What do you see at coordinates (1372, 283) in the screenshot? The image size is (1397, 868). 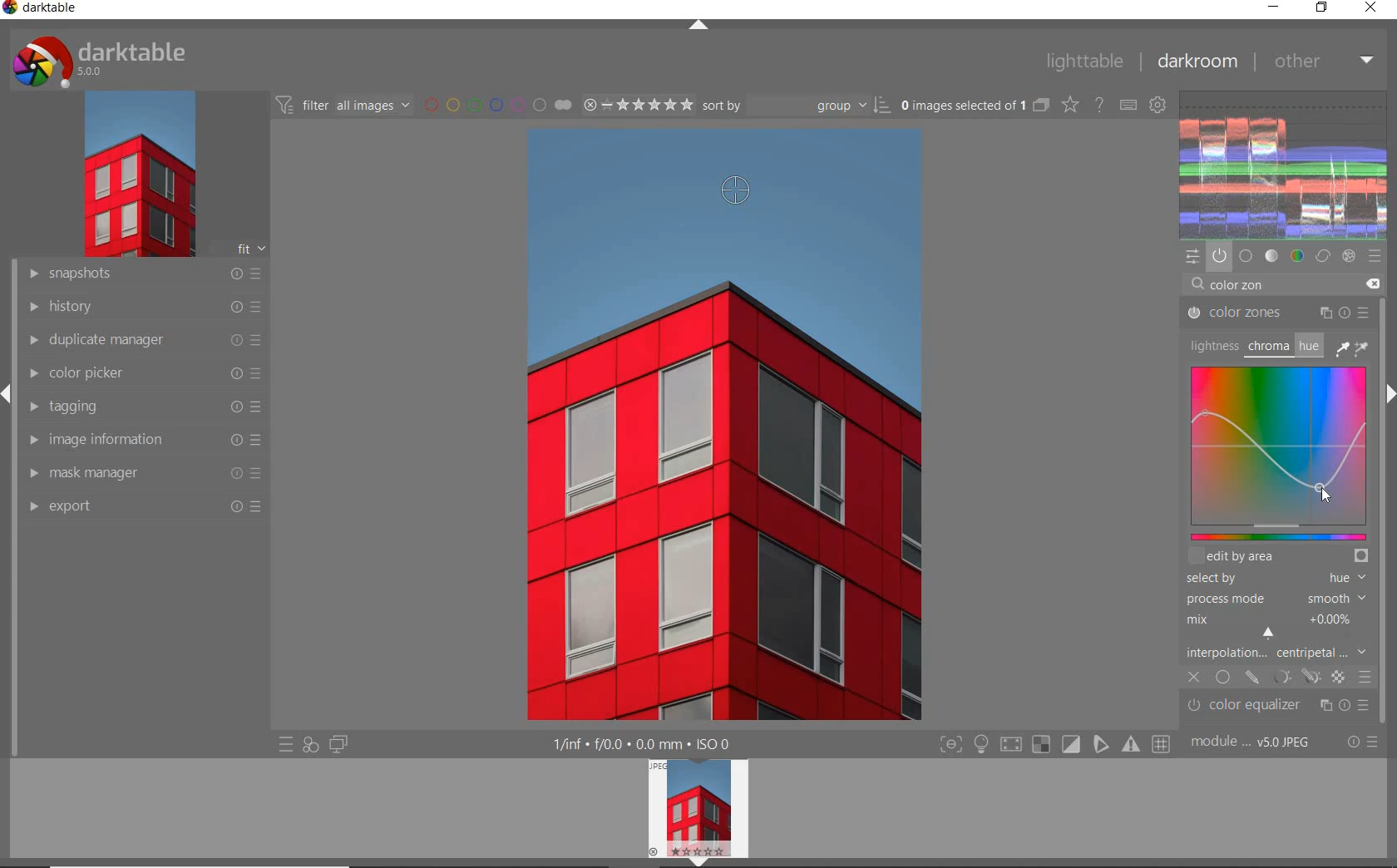 I see `DELETE` at bounding box center [1372, 283].